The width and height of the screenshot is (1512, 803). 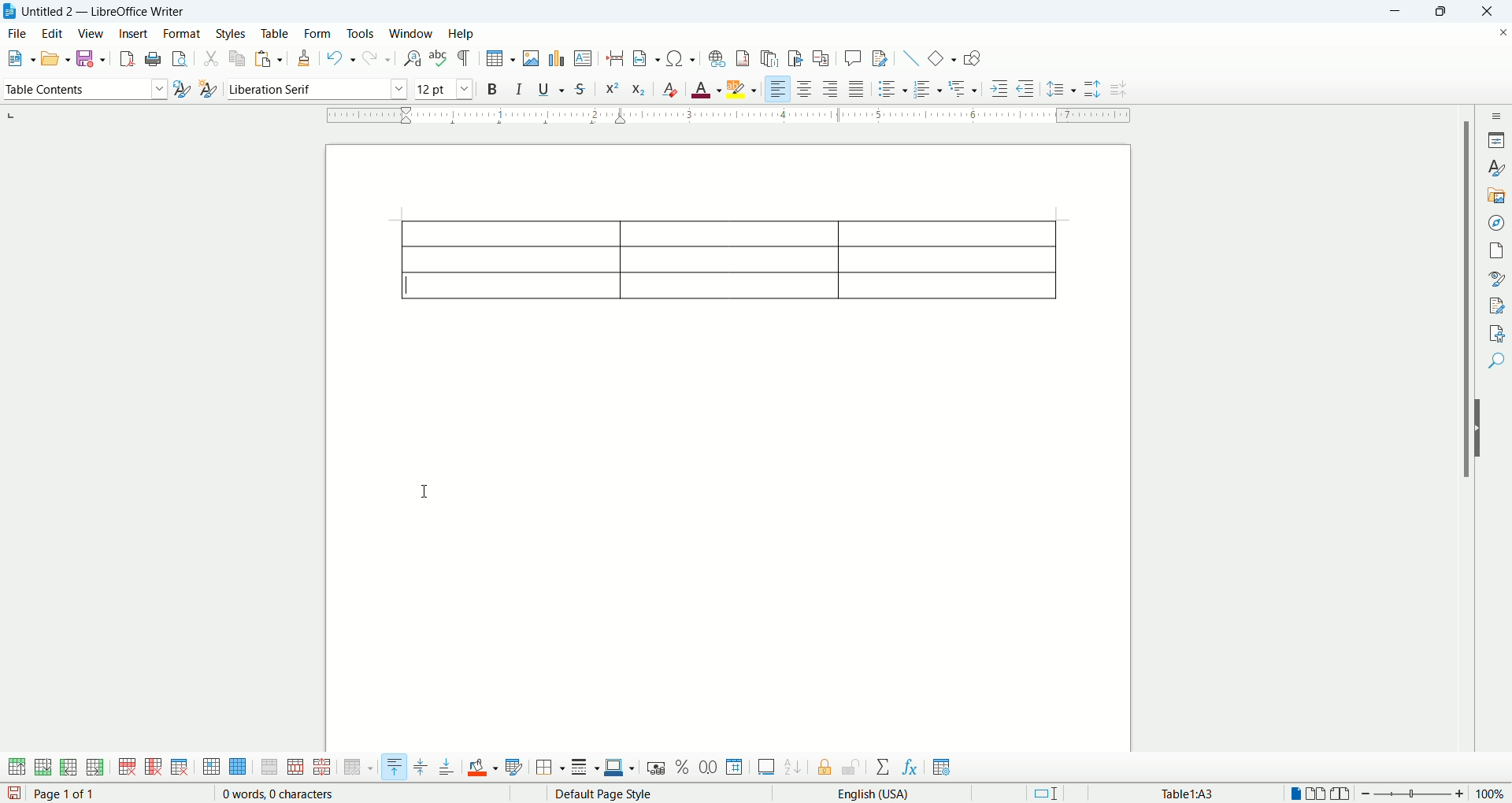 I want to click on superscript, so click(x=613, y=87).